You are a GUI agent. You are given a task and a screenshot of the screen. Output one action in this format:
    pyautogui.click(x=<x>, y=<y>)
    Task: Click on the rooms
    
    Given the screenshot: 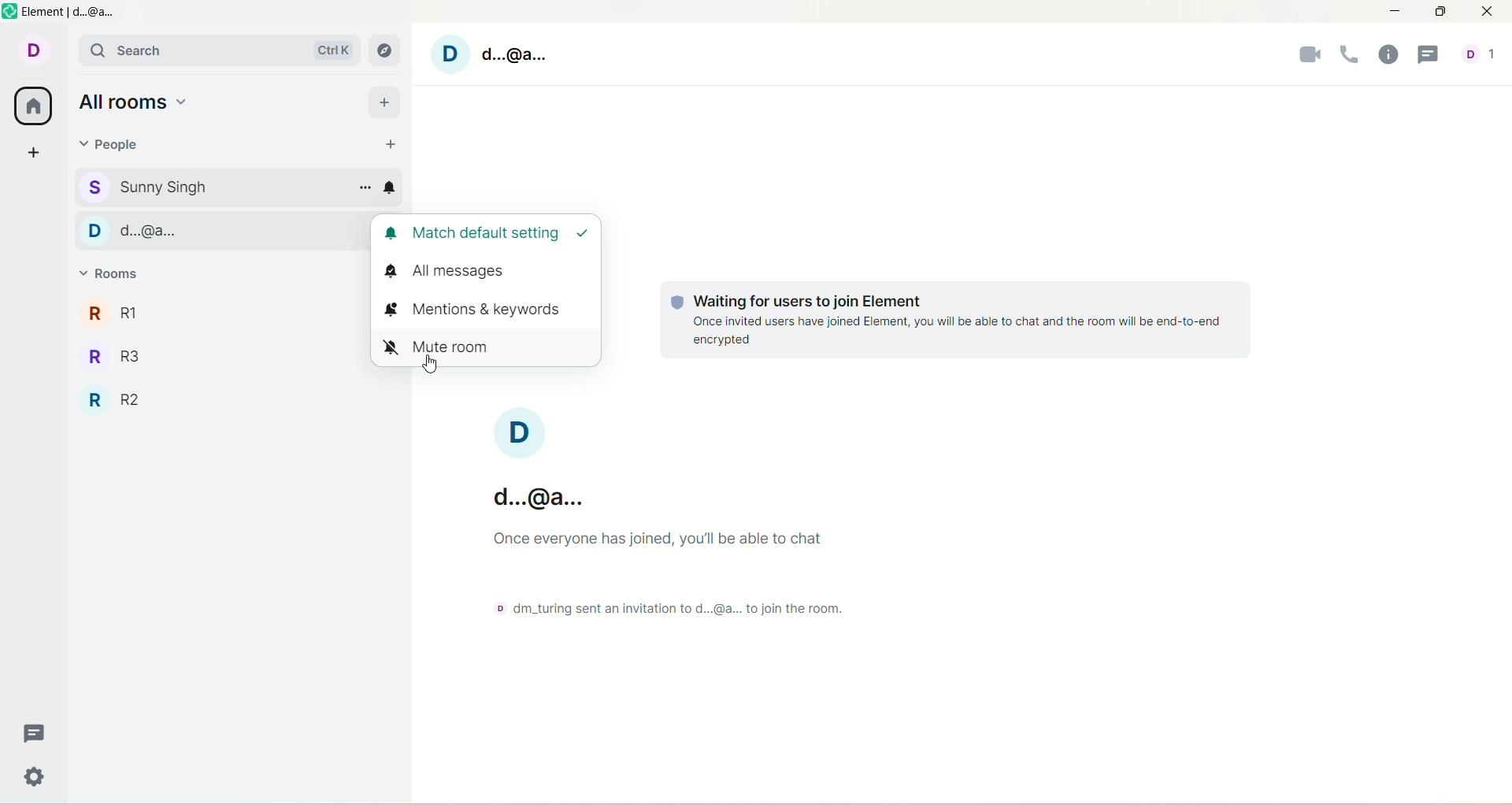 What is the action you would take?
    pyautogui.click(x=110, y=278)
    